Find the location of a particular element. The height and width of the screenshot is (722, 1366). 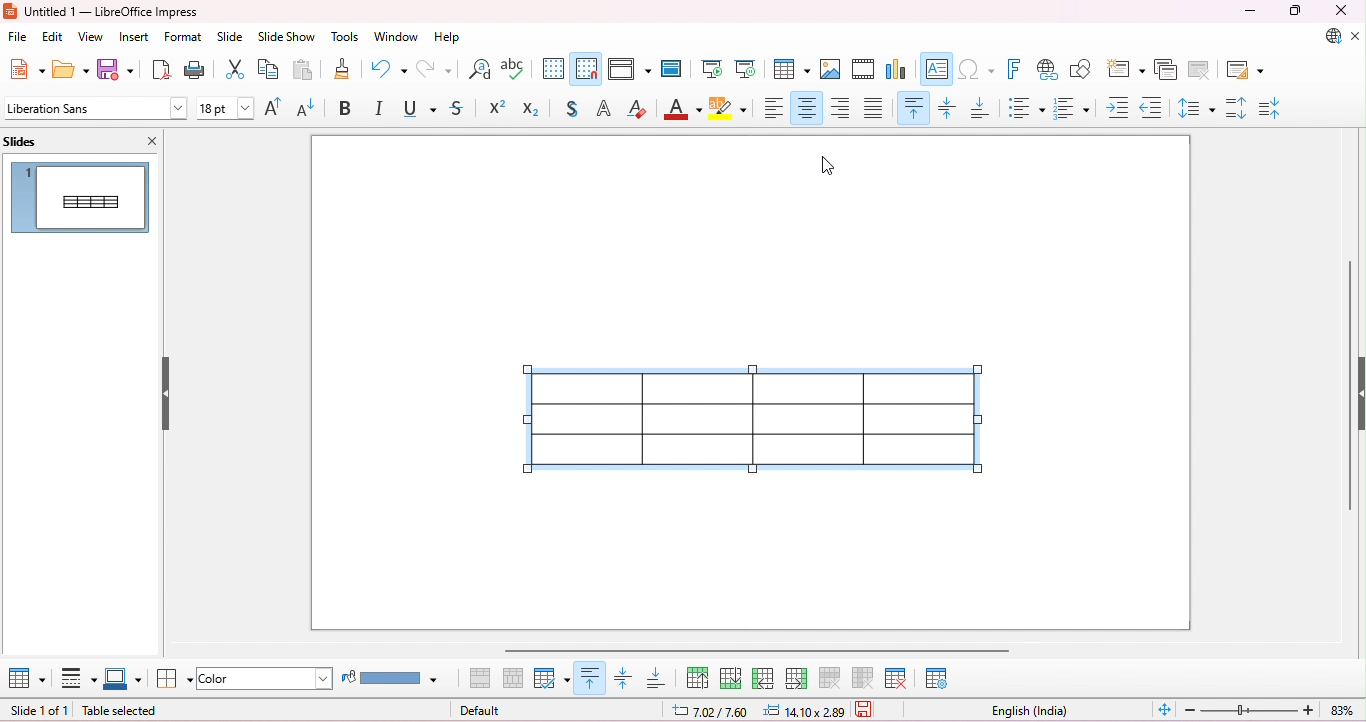

duplicate slide is located at coordinates (1168, 69).